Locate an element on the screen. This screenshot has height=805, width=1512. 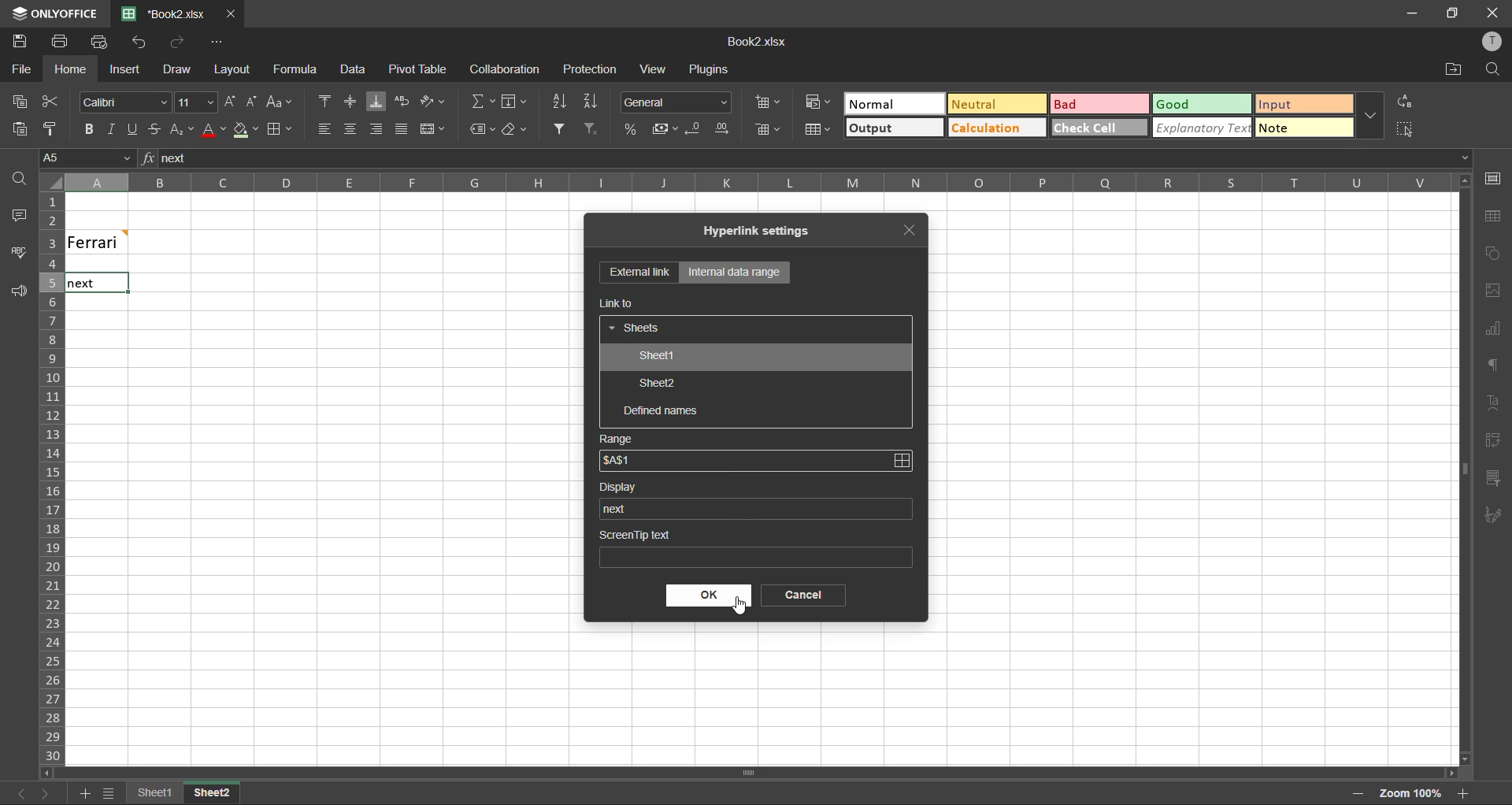
number format is located at coordinates (677, 102).